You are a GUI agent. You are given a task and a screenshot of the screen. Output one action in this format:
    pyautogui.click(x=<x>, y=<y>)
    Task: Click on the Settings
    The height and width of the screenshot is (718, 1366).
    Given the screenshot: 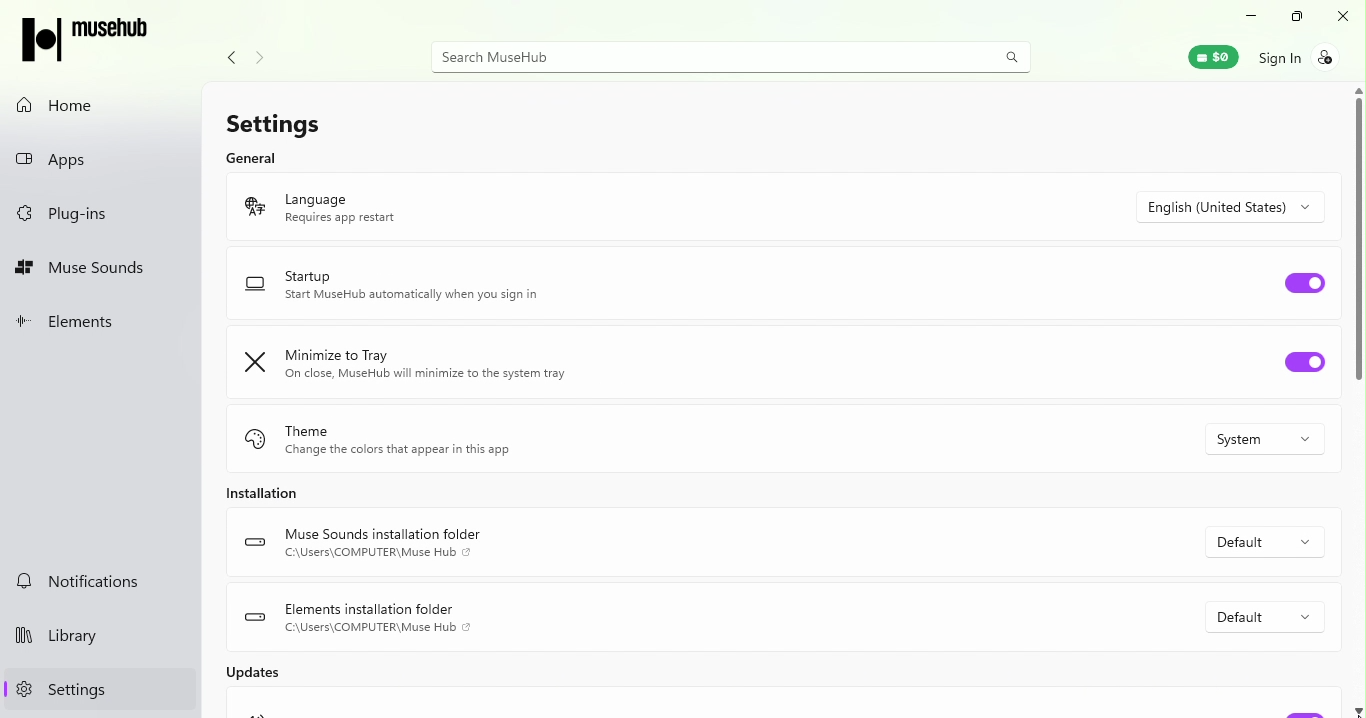 What is the action you would take?
    pyautogui.click(x=57, y=690)
    